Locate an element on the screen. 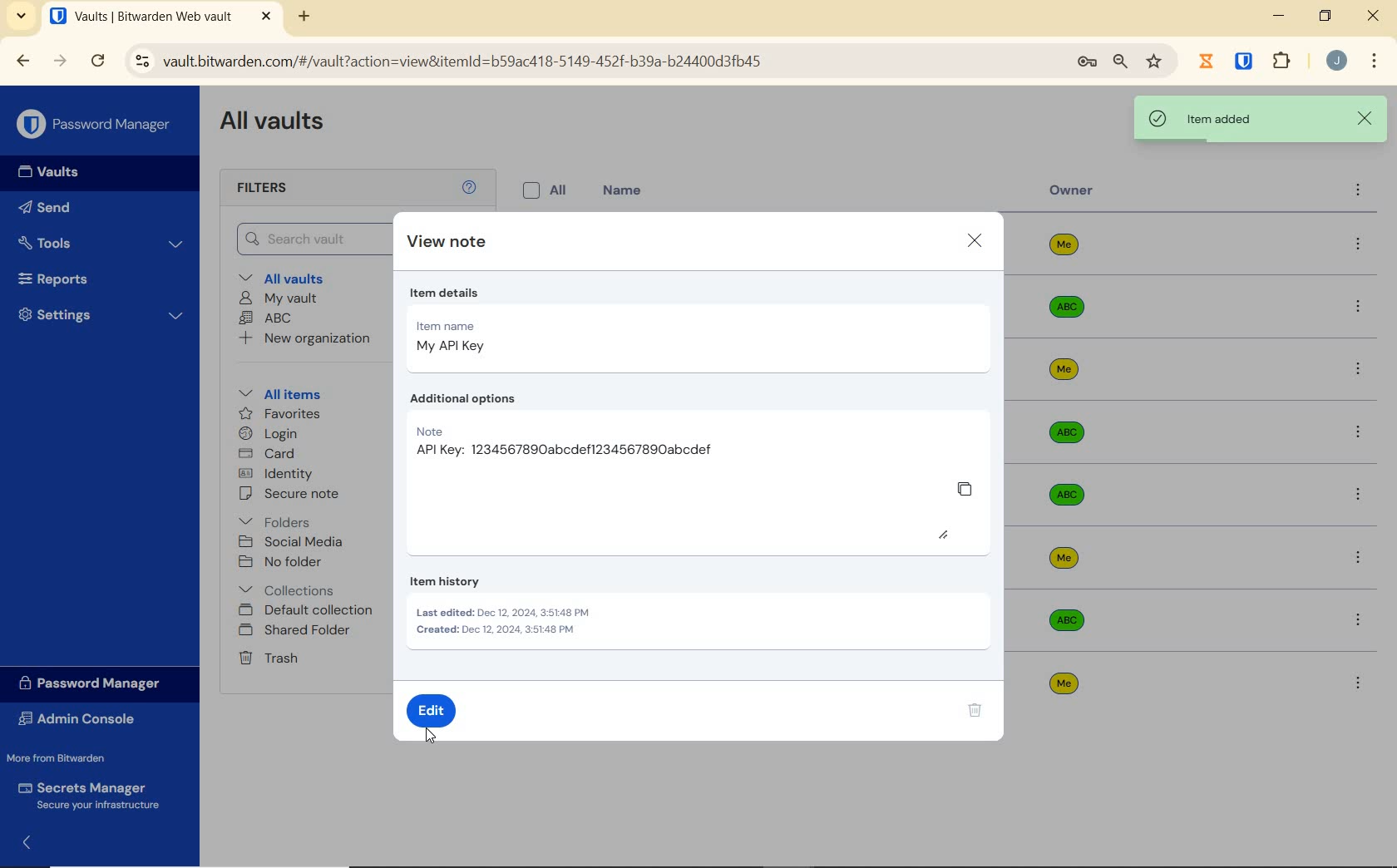 This screenshot has height=868, width=1397. manage passwords is located at coordinates (1087, 63).